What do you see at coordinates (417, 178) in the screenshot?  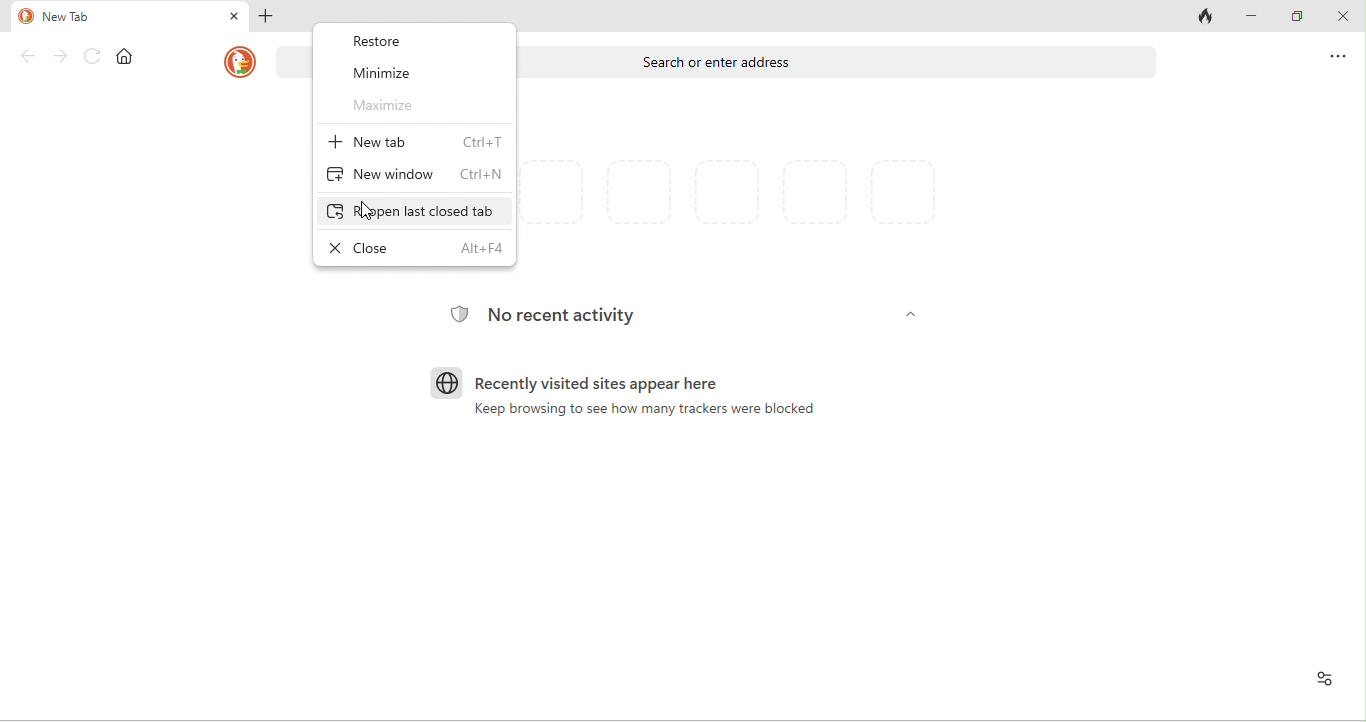 I see `new window` at bounding box center [417, 178].